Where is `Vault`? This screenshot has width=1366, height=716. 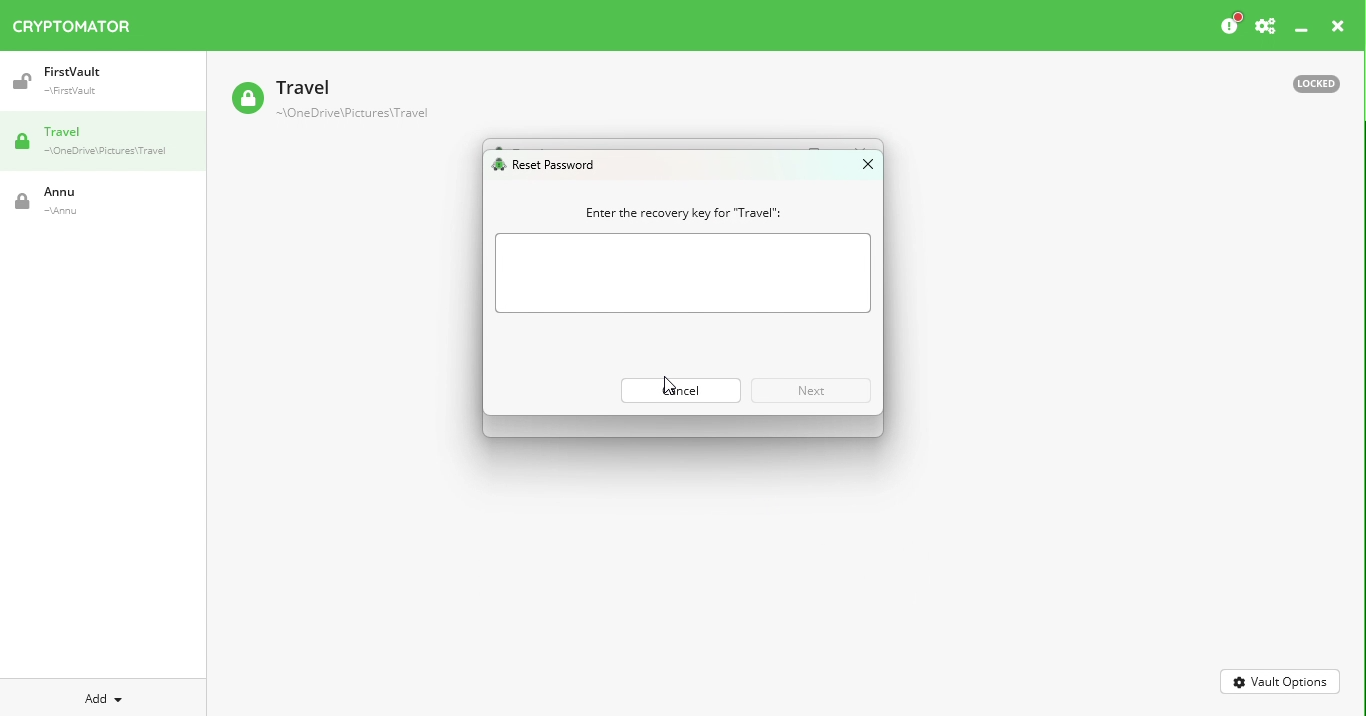
Vault is located at coordinates (93, 81).